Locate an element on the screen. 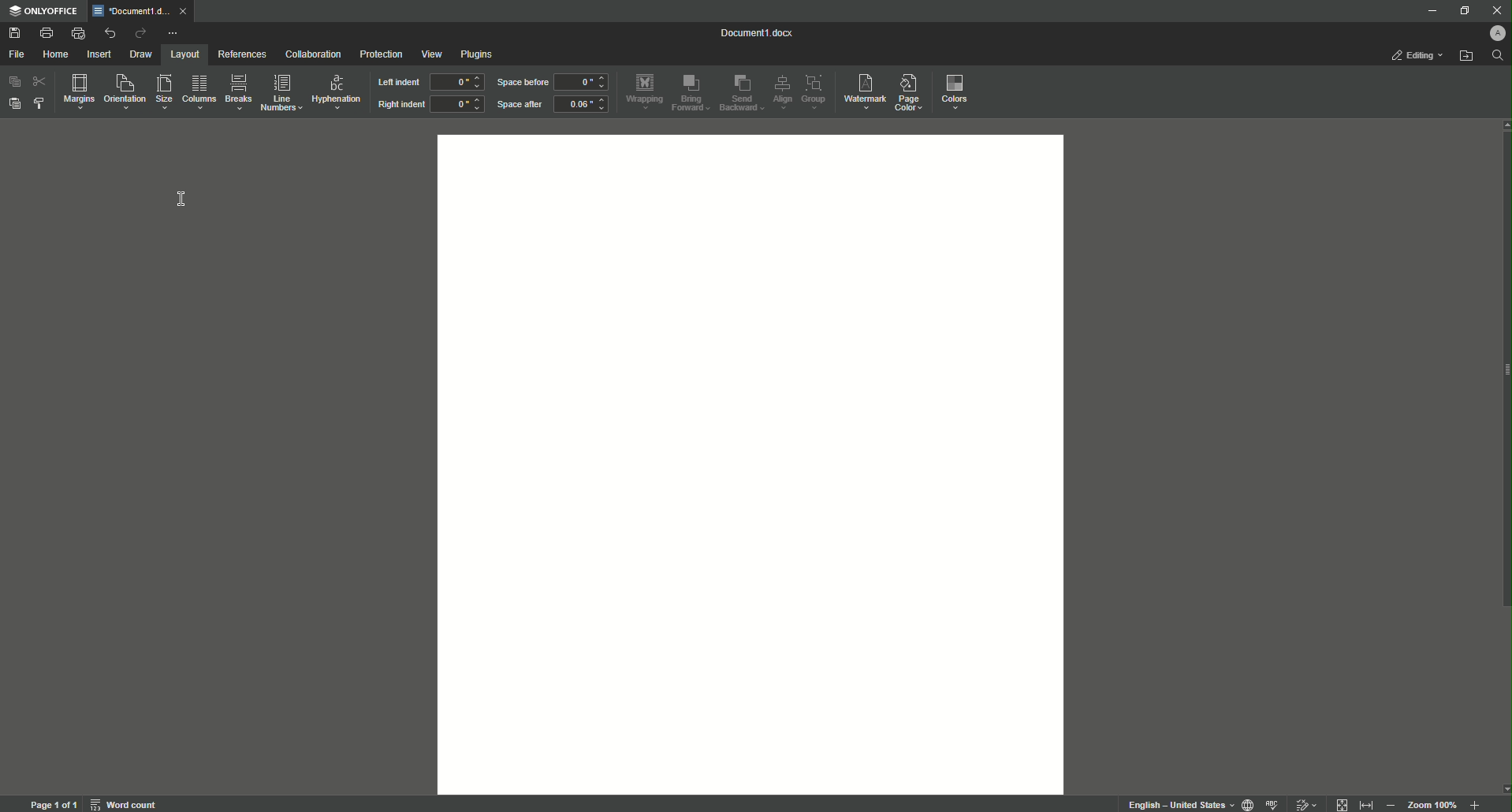 Image resolution: width=1512 pixels, height=812 pixels. Paste is located at coordinates (16, 106).